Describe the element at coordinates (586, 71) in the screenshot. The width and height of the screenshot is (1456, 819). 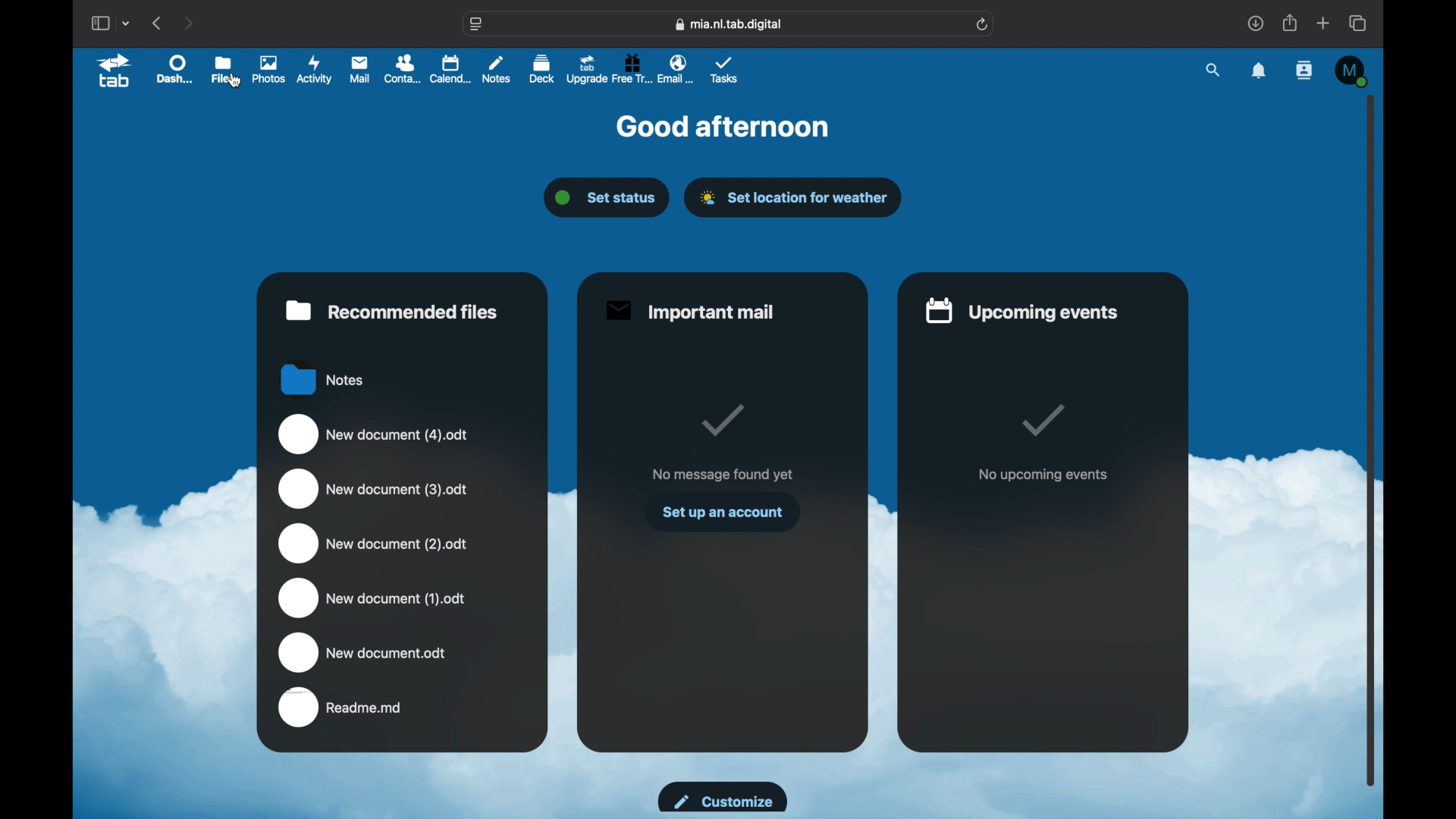
I see `upgrade` at that location.